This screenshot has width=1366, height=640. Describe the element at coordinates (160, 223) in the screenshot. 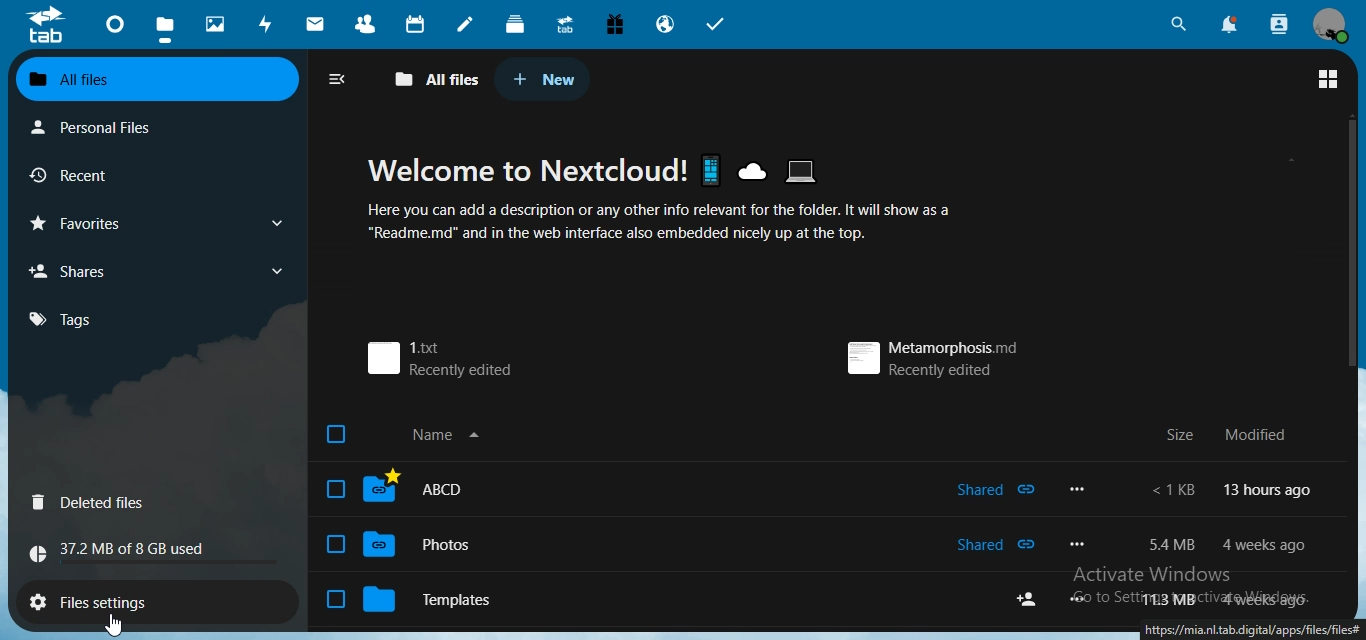

I see `favorites` at that location.